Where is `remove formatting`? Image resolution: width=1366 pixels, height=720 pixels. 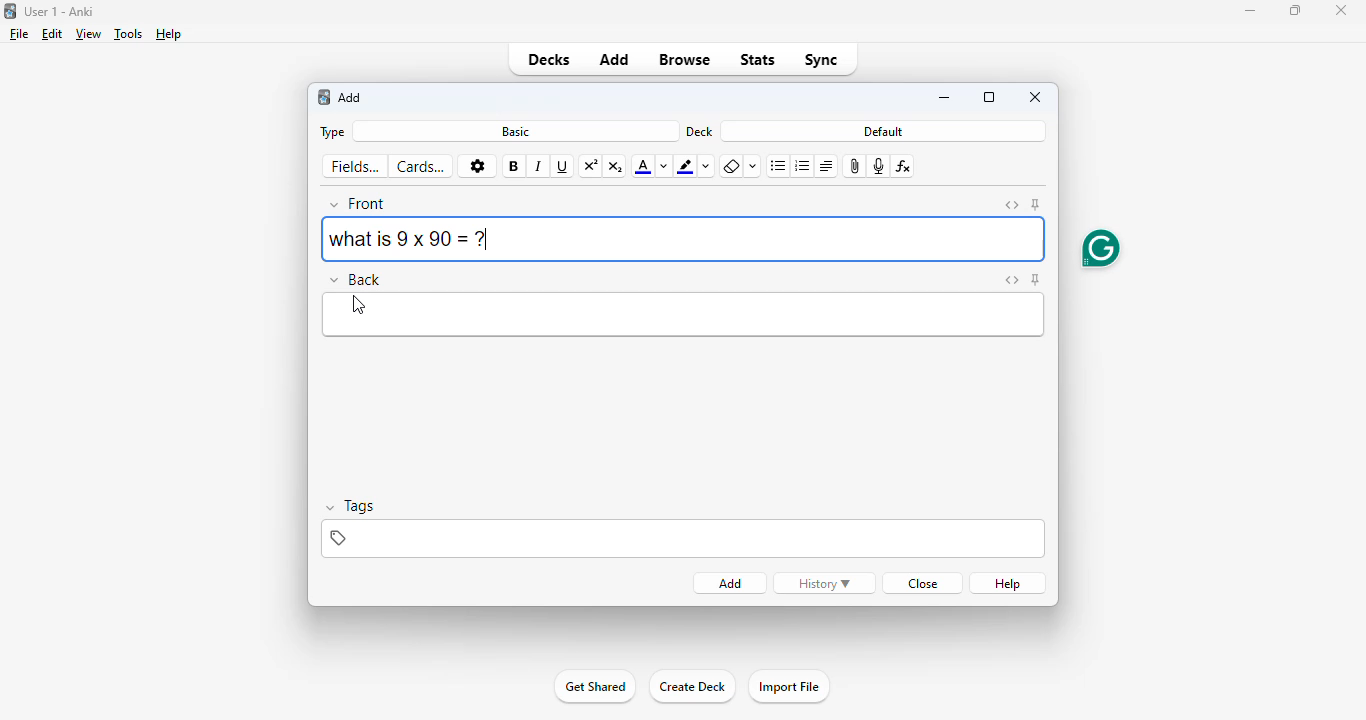
remove formatting is located at coordinates (733, 166).